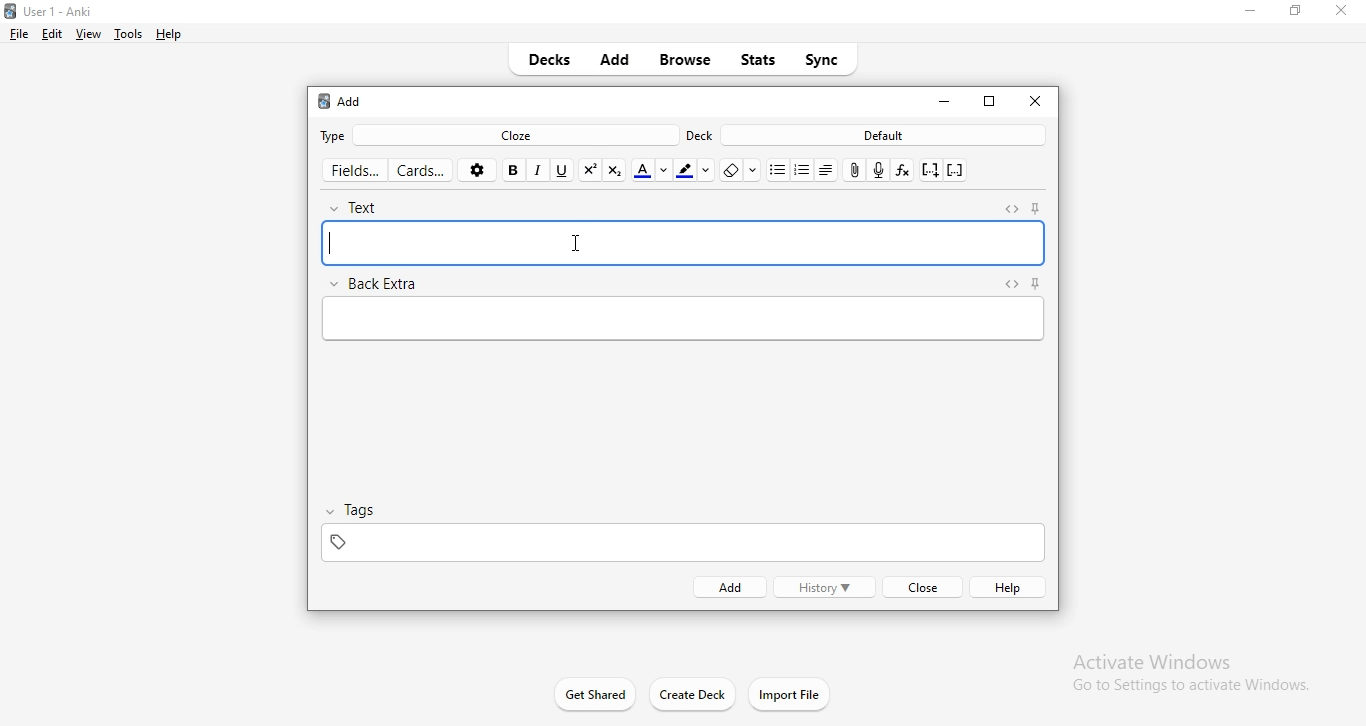 This screenshot has height=726, width=1366. I want to click on Get Shared, so click(583, 692).